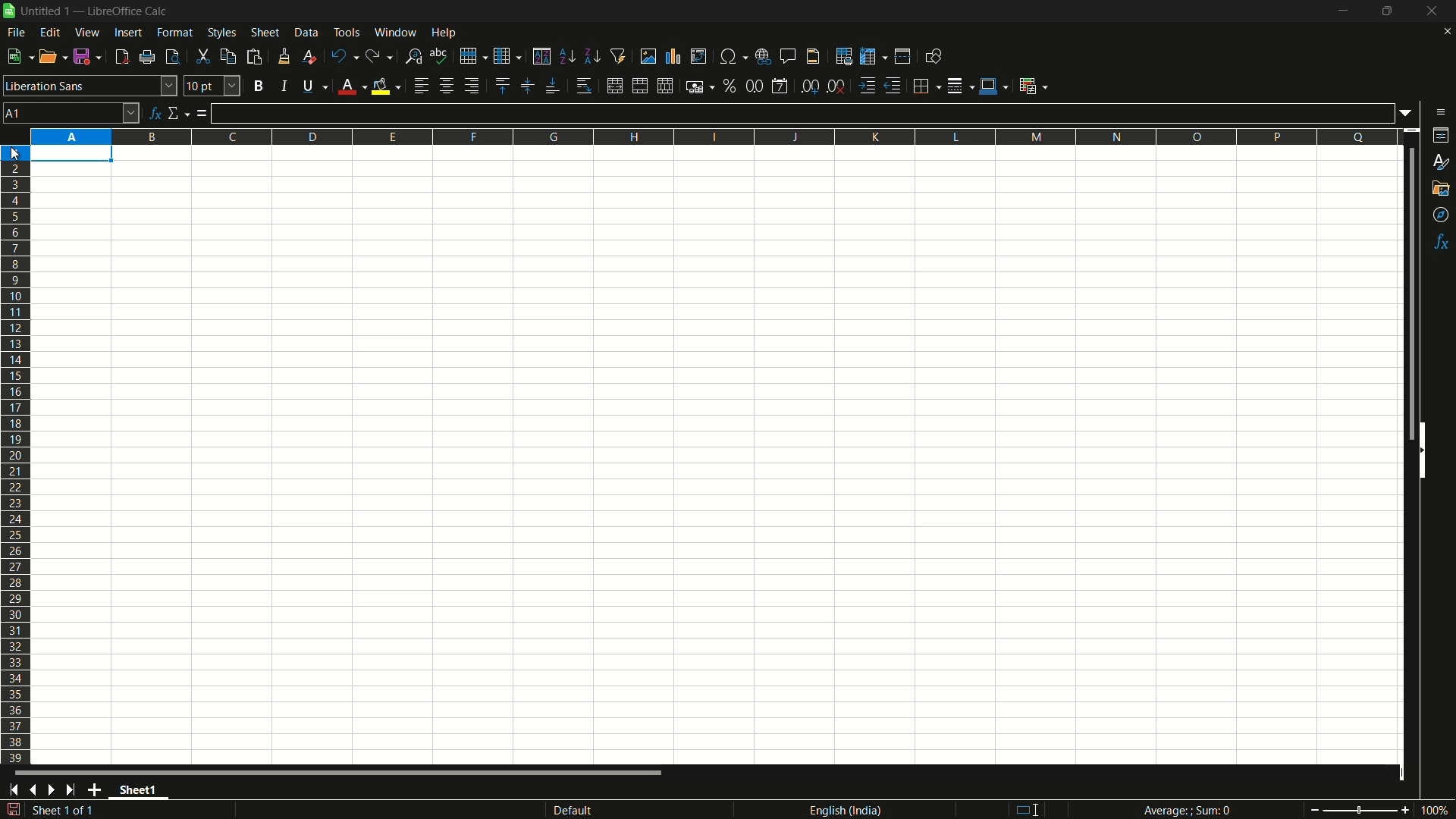 The image size is (1456, 819). What do you see at coordinates (1188, 811) in the screenshot?
I see `Average; Sum 0` at bounding box center [1188, 811].